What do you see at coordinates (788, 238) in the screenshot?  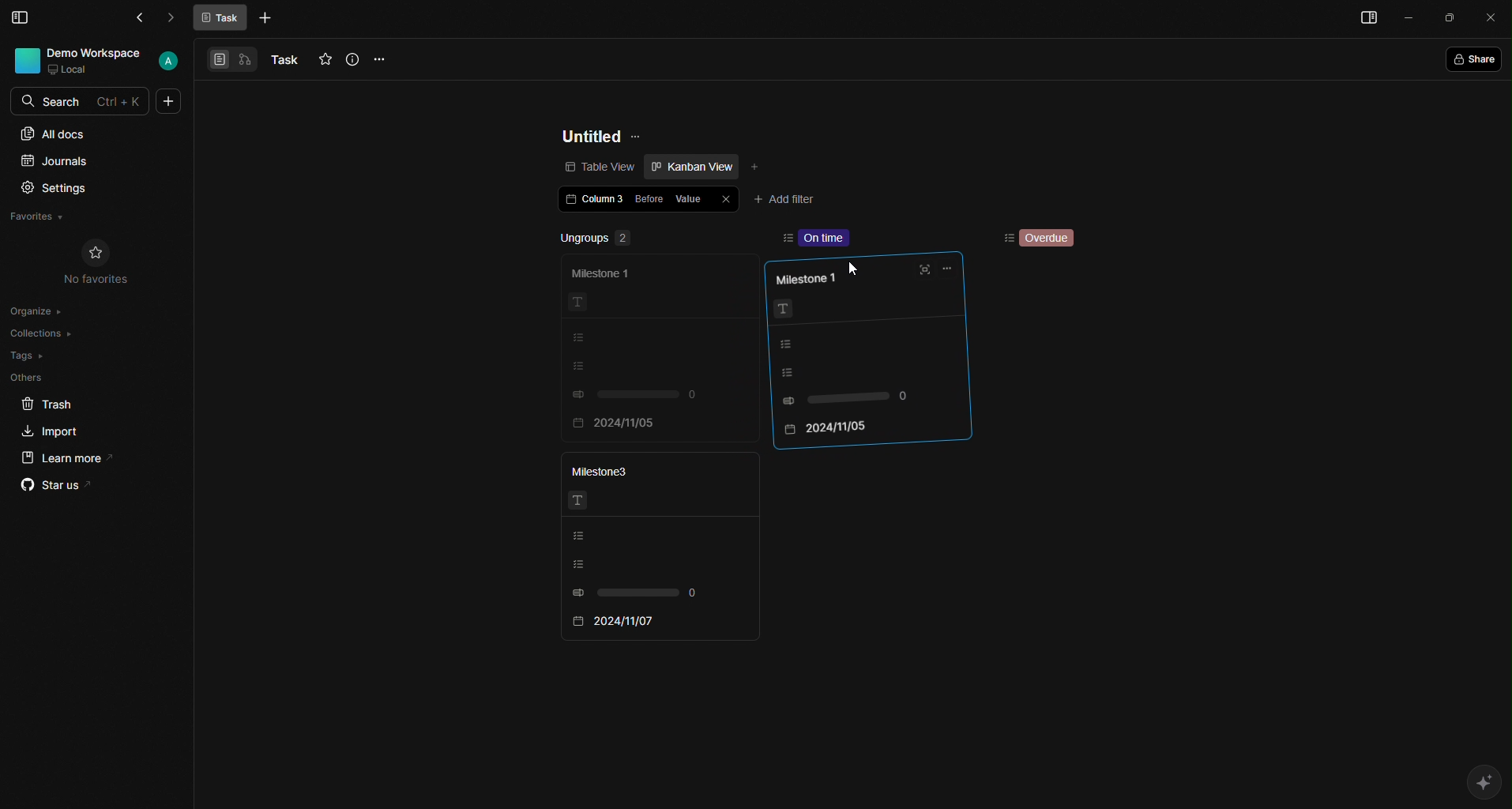 I see `sort` at bounding box center [788, 238].